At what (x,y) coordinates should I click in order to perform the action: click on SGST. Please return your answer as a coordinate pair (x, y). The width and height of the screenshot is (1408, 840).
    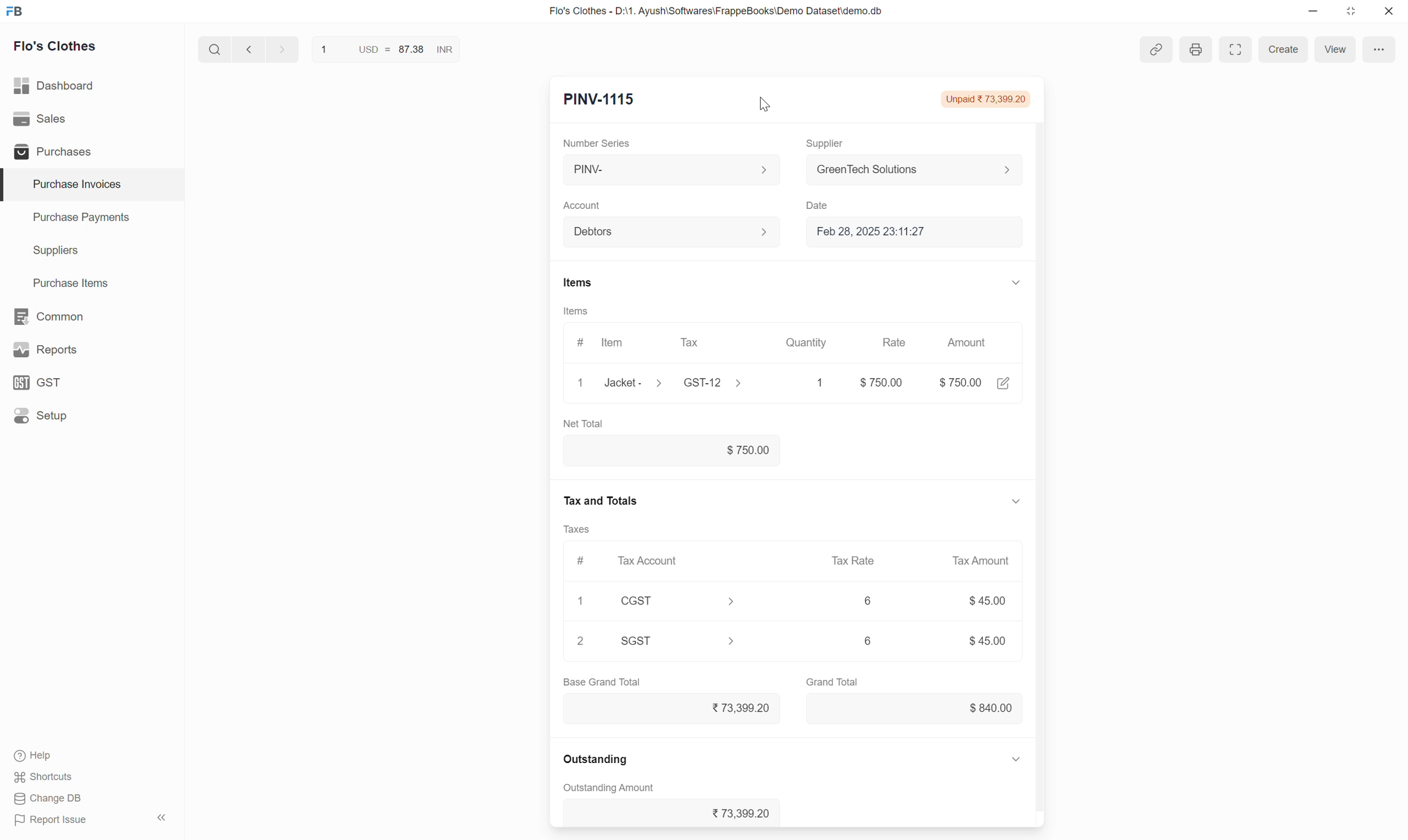
    Looking at the image, I should click on (637, 640).